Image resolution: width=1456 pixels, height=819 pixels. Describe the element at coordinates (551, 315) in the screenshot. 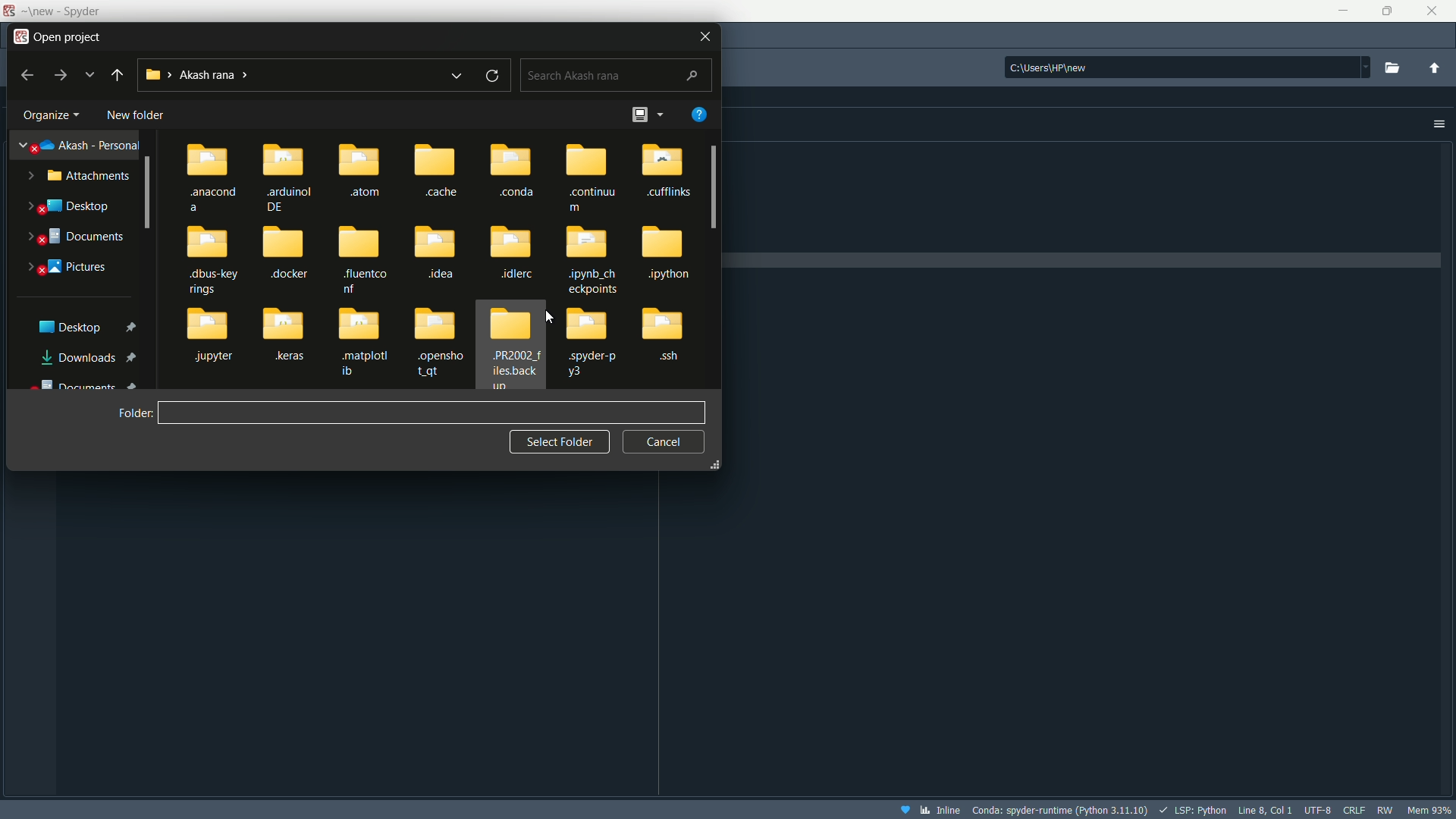

I see `Cursor on file area` at that location.